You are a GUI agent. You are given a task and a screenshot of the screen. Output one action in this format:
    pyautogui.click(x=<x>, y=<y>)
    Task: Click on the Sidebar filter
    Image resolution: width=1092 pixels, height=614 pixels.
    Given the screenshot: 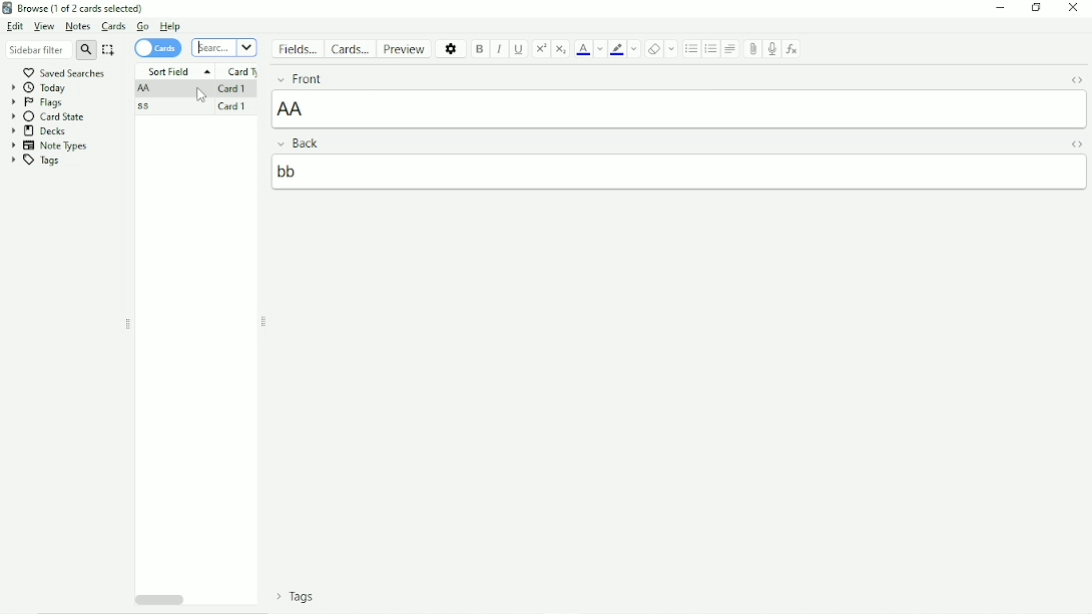 What is the action you would take?
    pyautogui.click(x=49, y=51)
    